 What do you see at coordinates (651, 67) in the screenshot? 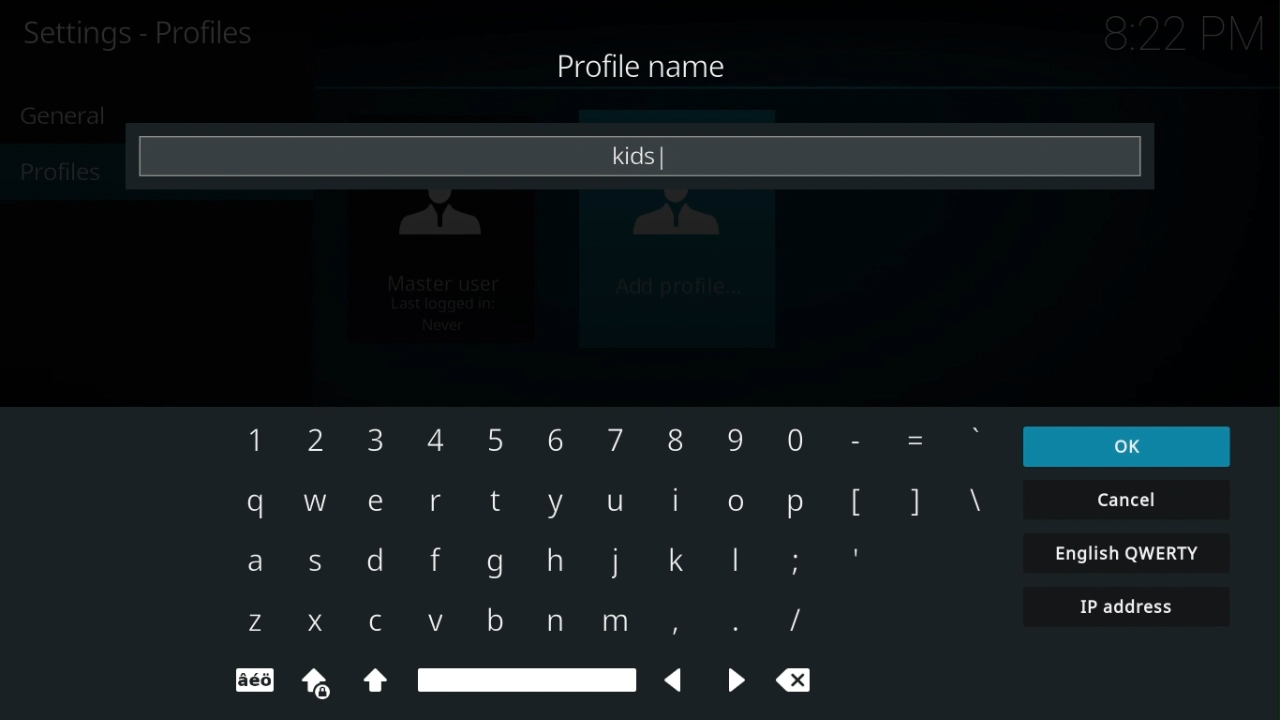
I see `Profile Name` at bounding box center [651, 67].